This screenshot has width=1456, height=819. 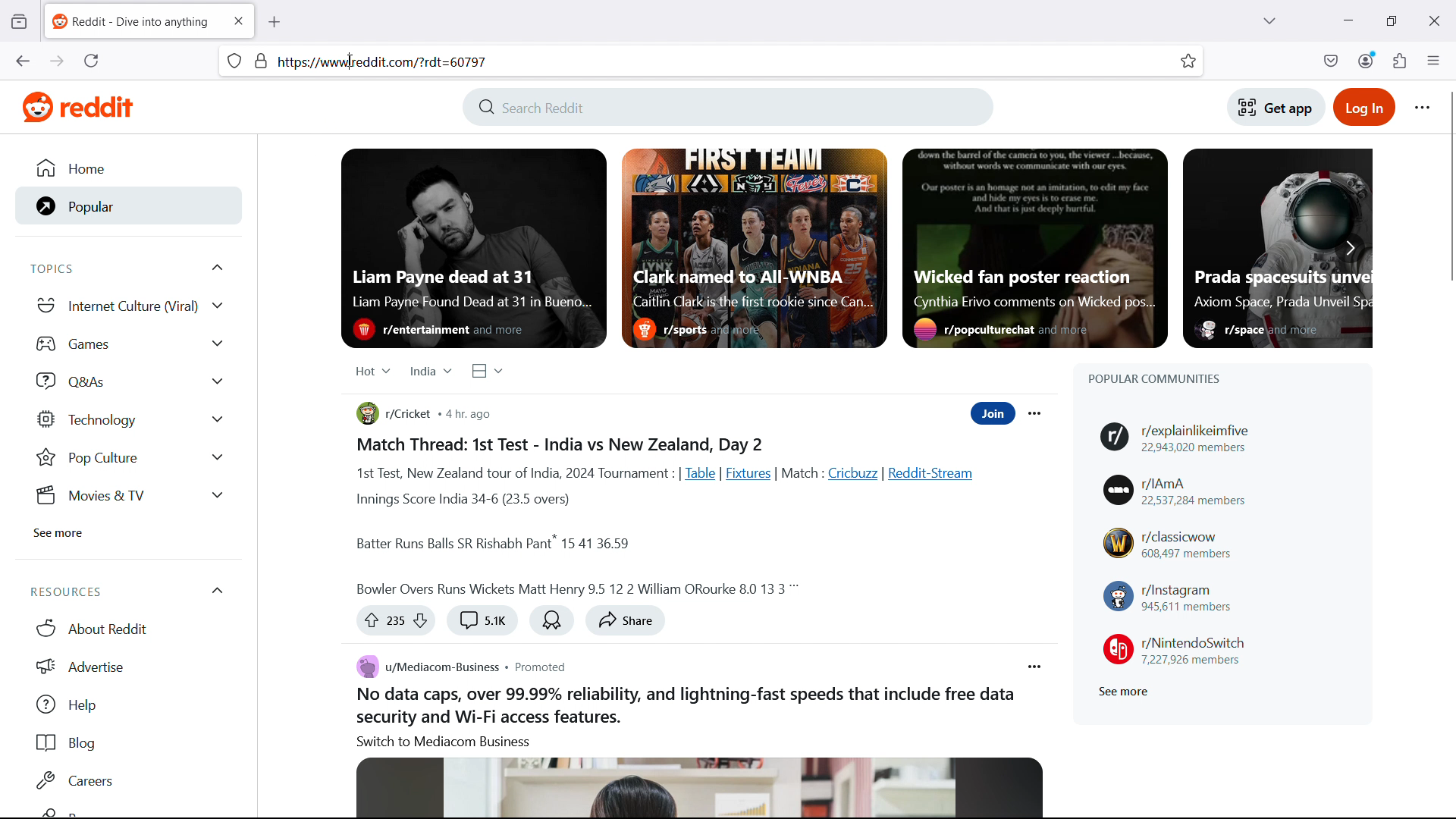 I want to click on Post options, so click(x=1035, y=667).